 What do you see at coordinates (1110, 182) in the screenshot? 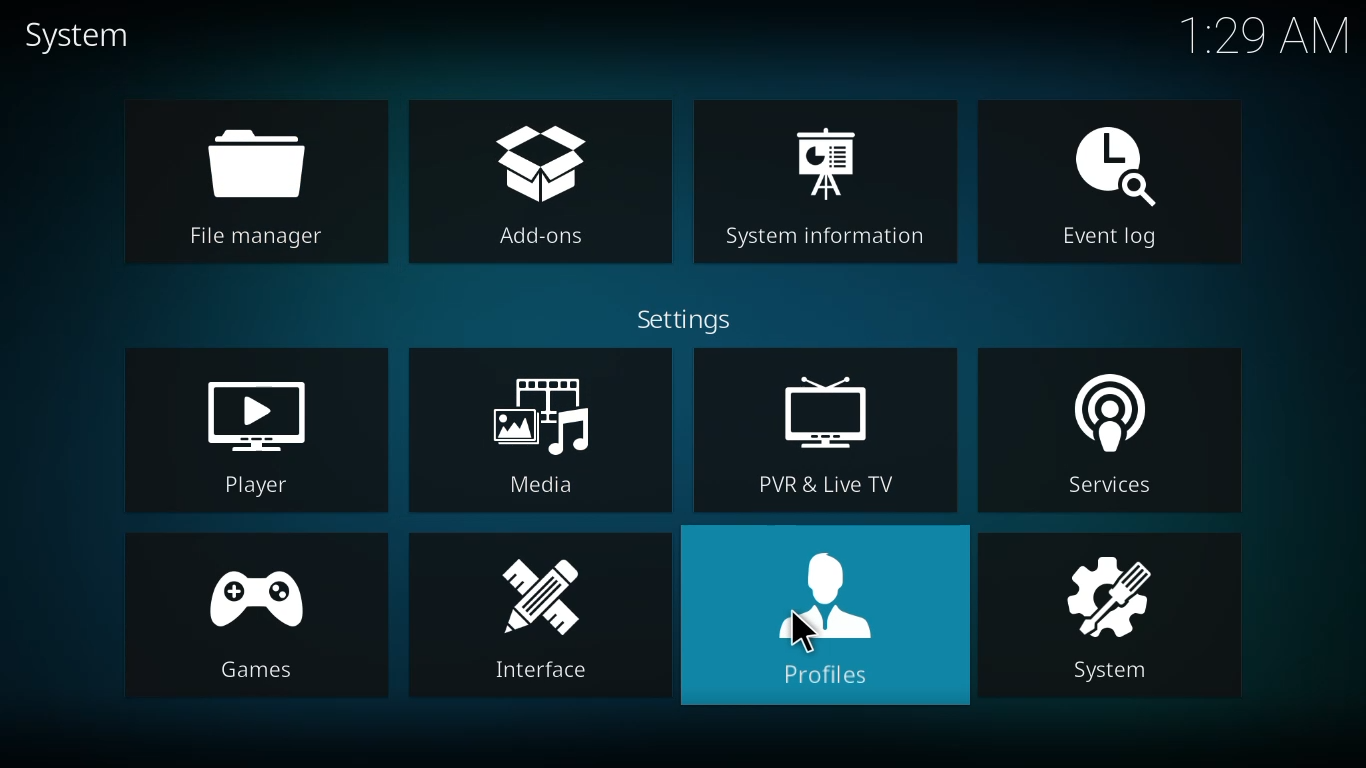
I see `event log` at bounding box center [1110, 182].